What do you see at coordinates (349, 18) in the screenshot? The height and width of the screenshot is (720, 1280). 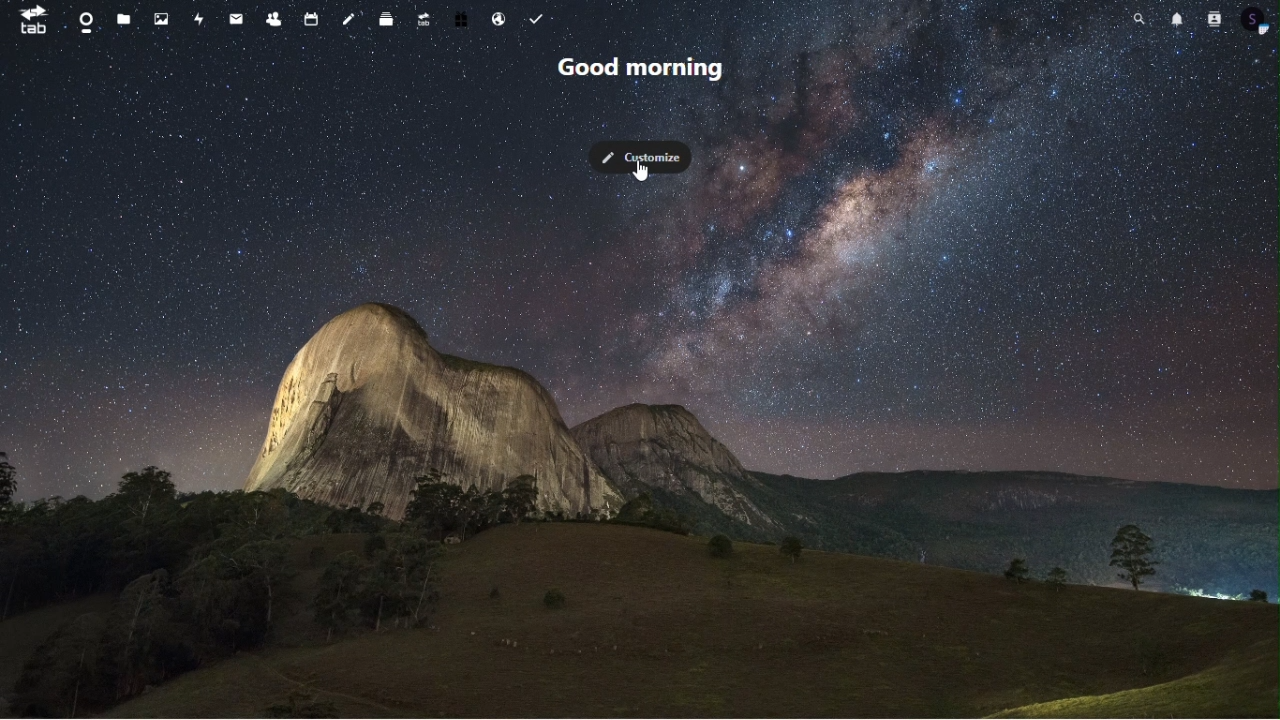 I see `note` at bounding box center [349, 18].